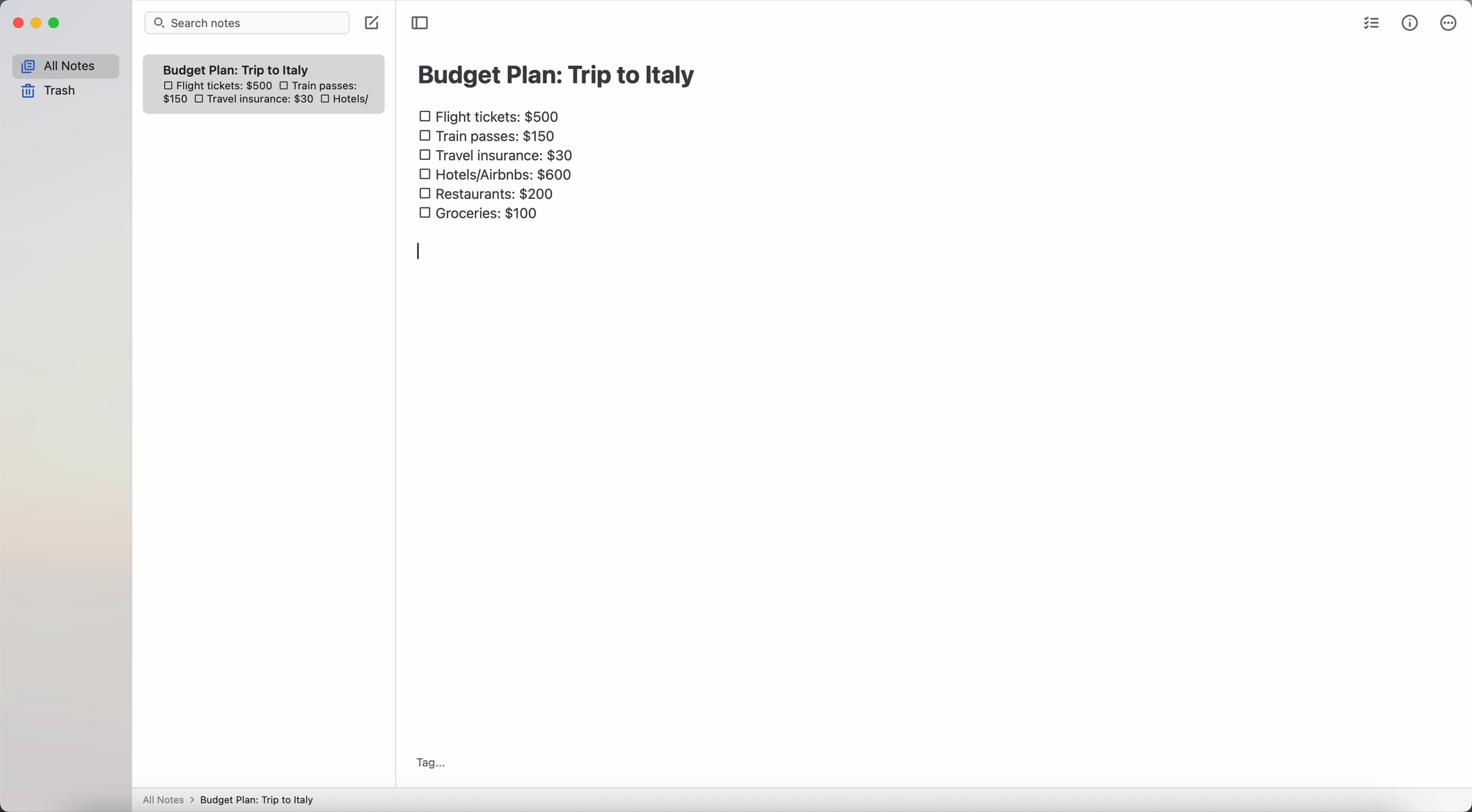 The image size is (1472, 812). I want to click on restaurants: $200 checkbox, so click(487, 191).